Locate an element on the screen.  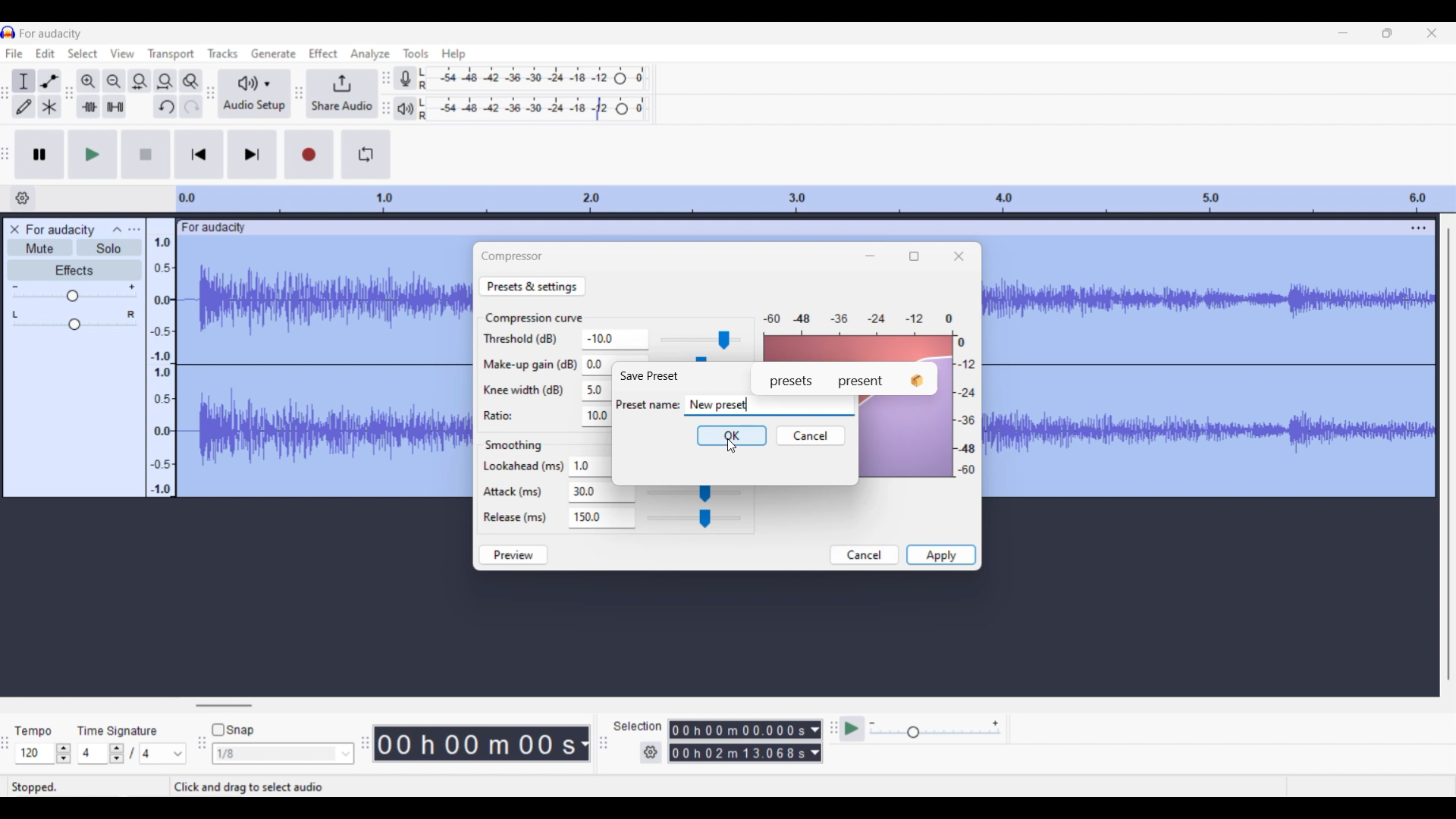
Scale to measure length of track is located at coordinates (815, 199).